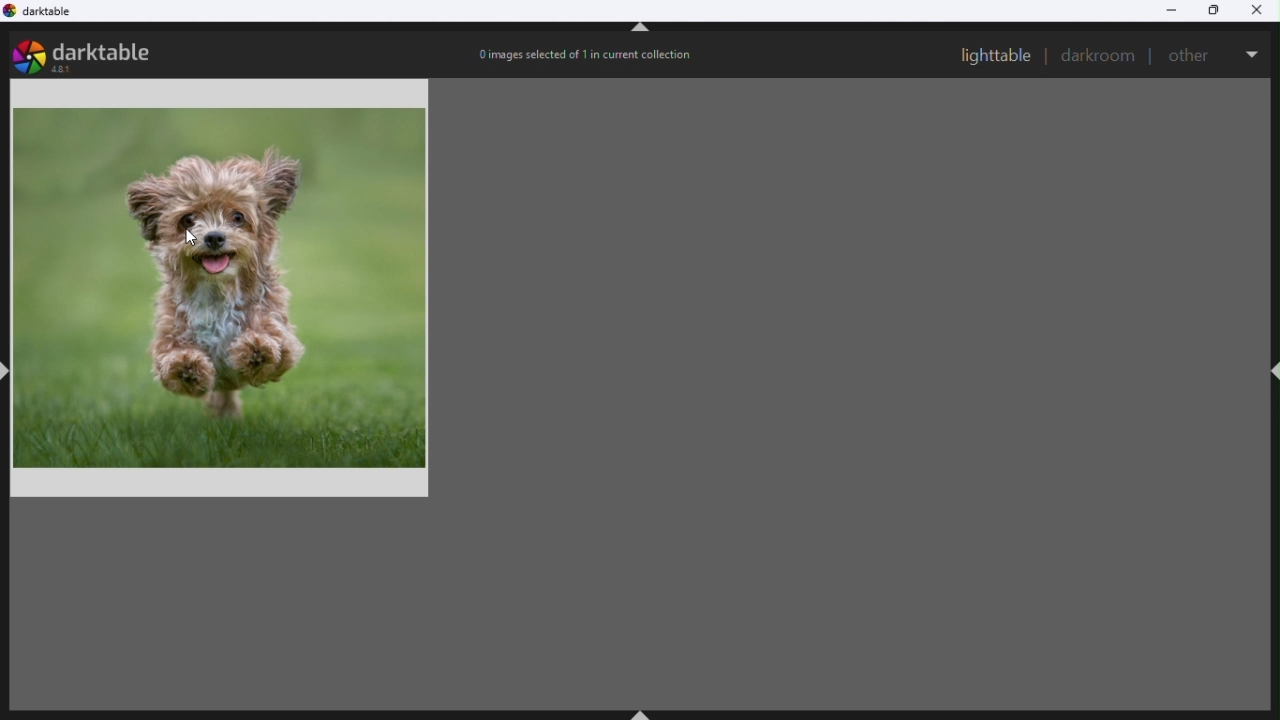 The image size is (1280, 720). Describe the element at coordinates (1172, 10) in the screenshot. I see `Minimise` at that location.